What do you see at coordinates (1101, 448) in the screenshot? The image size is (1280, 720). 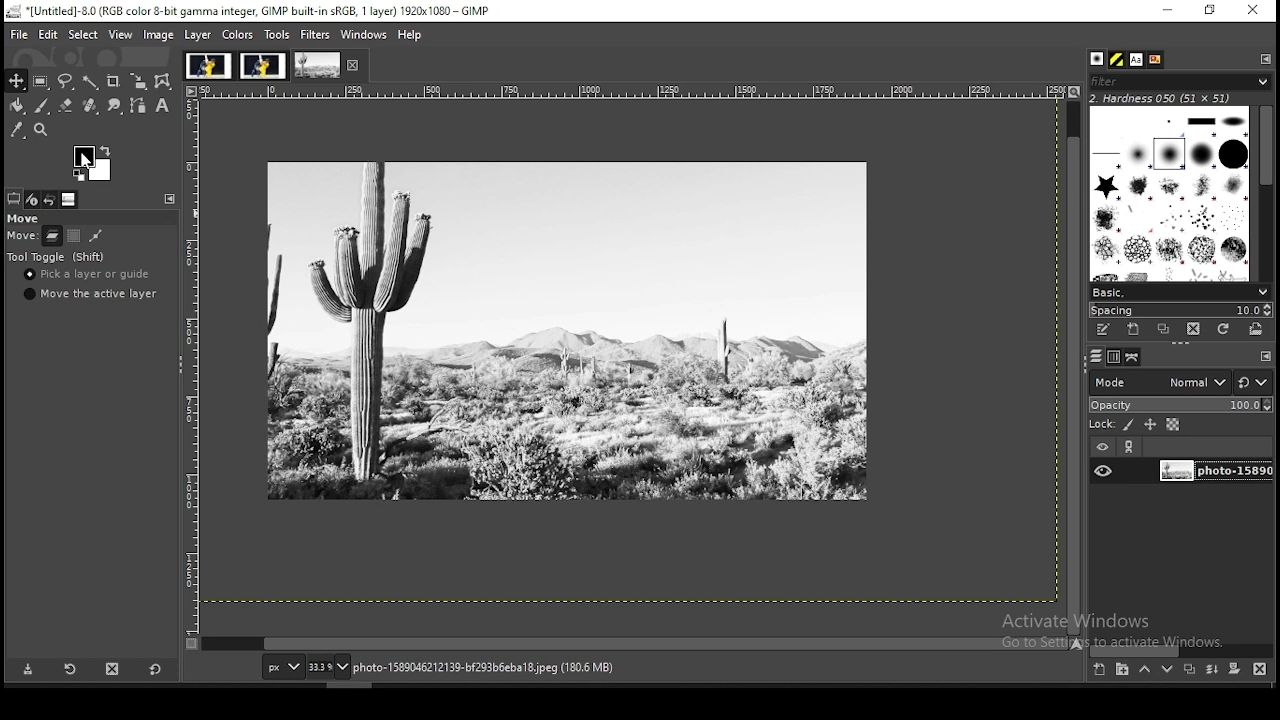 I see `layer visibility` at bounding box center [1101, 448].